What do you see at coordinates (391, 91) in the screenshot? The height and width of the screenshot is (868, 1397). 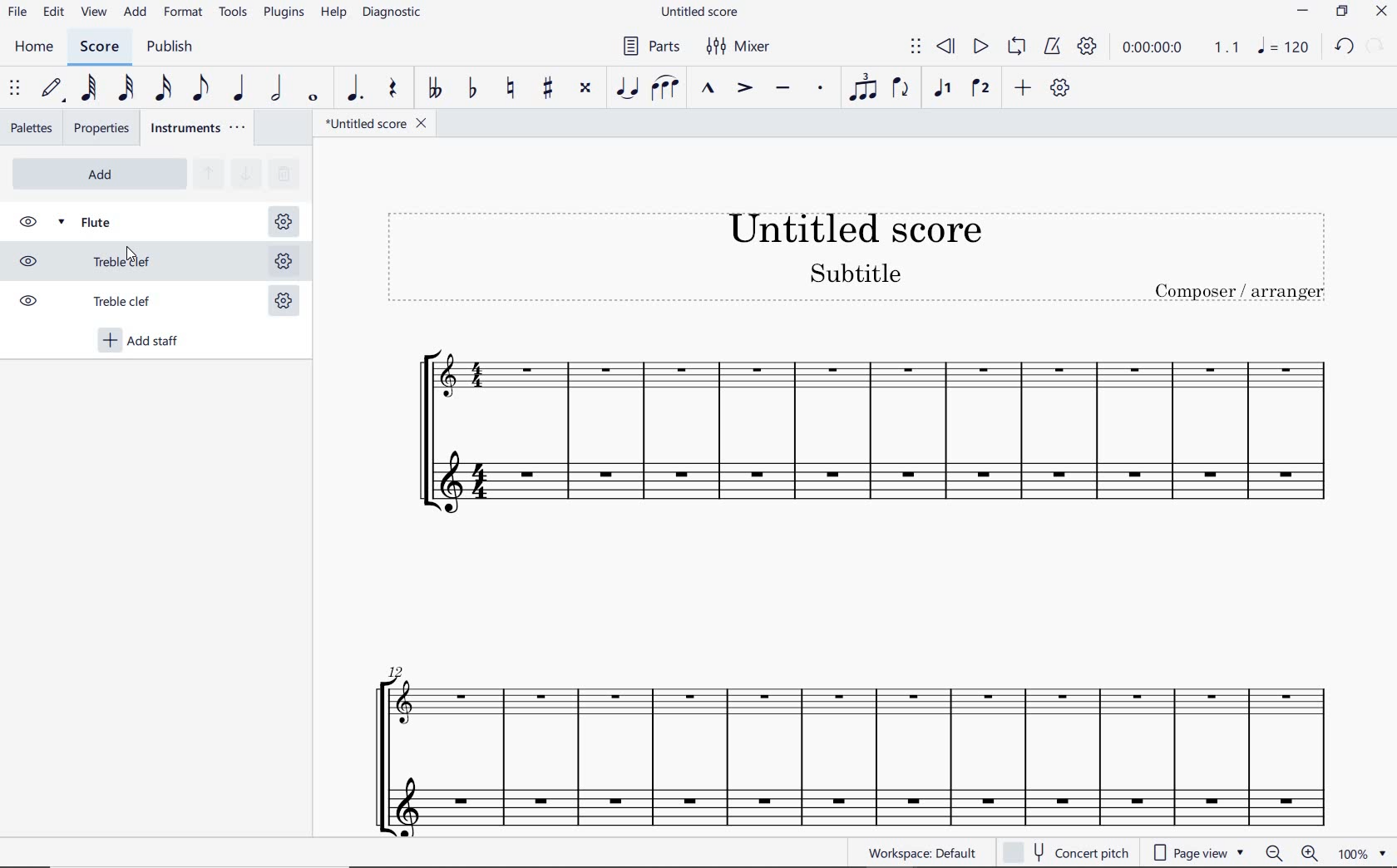 I see `rest` at bounding box center [391, 91].